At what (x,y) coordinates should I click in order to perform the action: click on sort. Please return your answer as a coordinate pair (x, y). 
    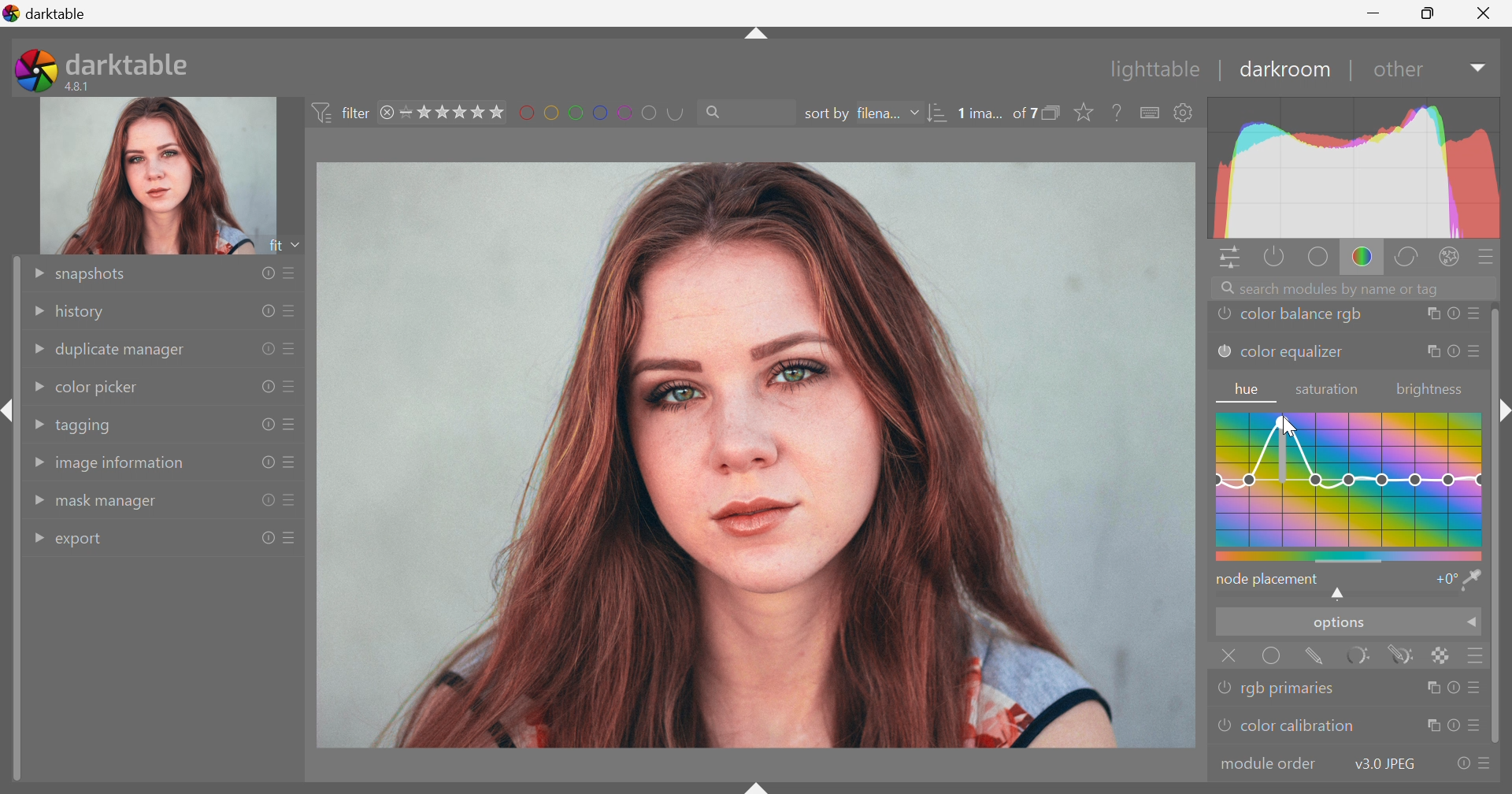
    Looking at the image, I should click on (937, 114).